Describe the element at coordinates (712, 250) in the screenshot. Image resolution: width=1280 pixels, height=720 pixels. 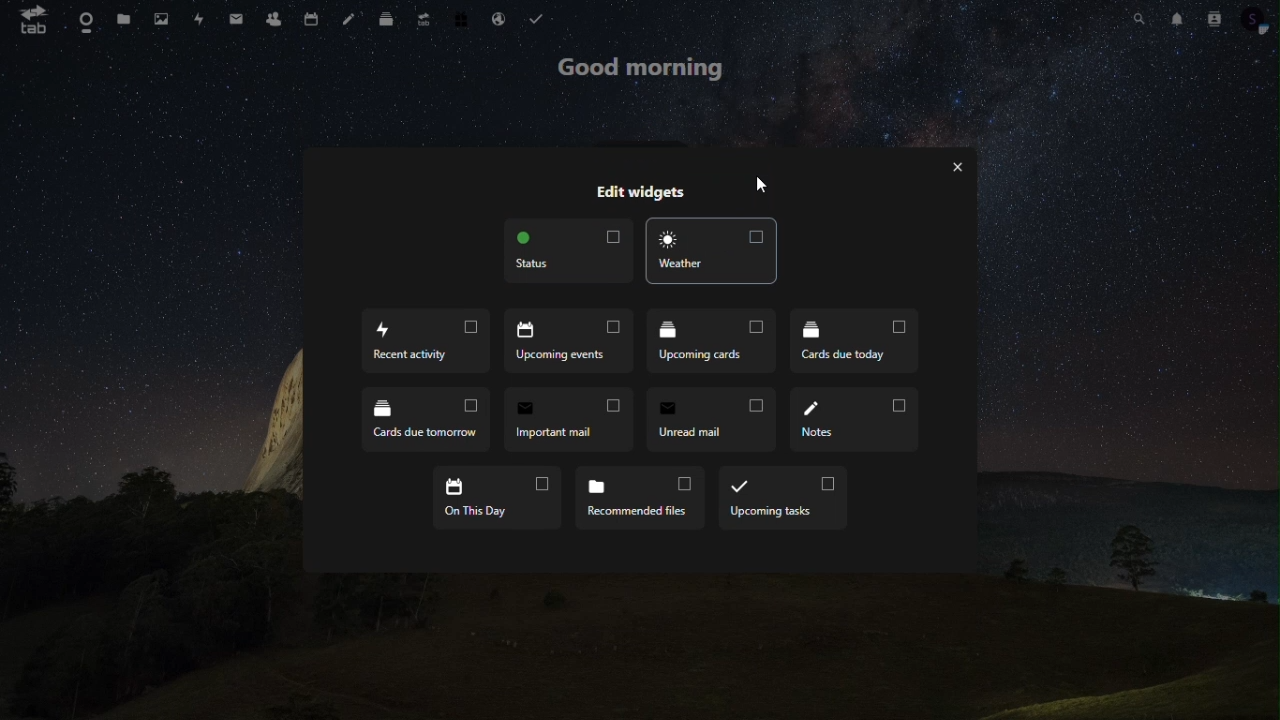
I see `weather disabled` at that location.